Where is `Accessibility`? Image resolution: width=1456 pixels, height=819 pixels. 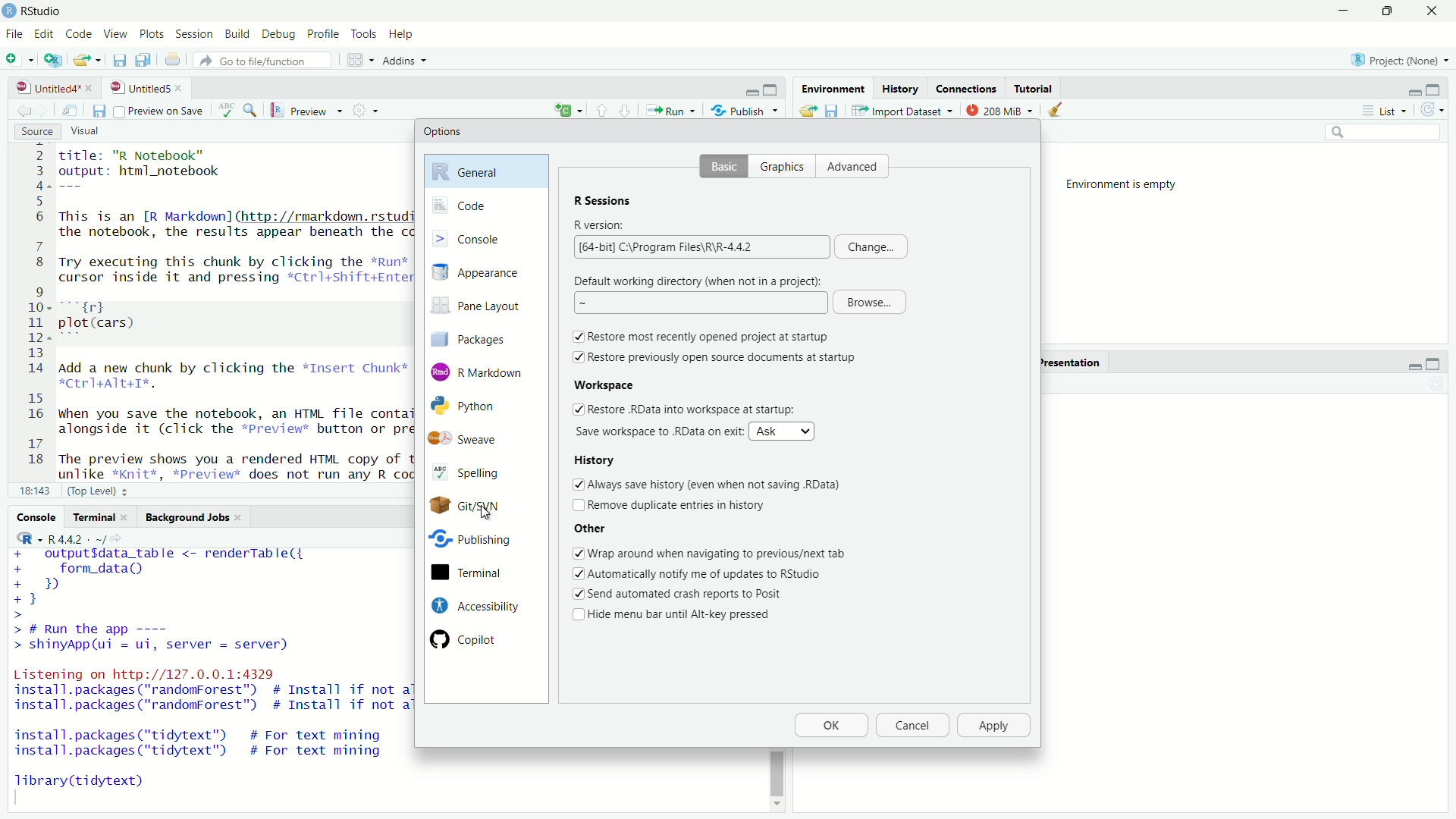
Accessibility is located at coordinates (473, 605).